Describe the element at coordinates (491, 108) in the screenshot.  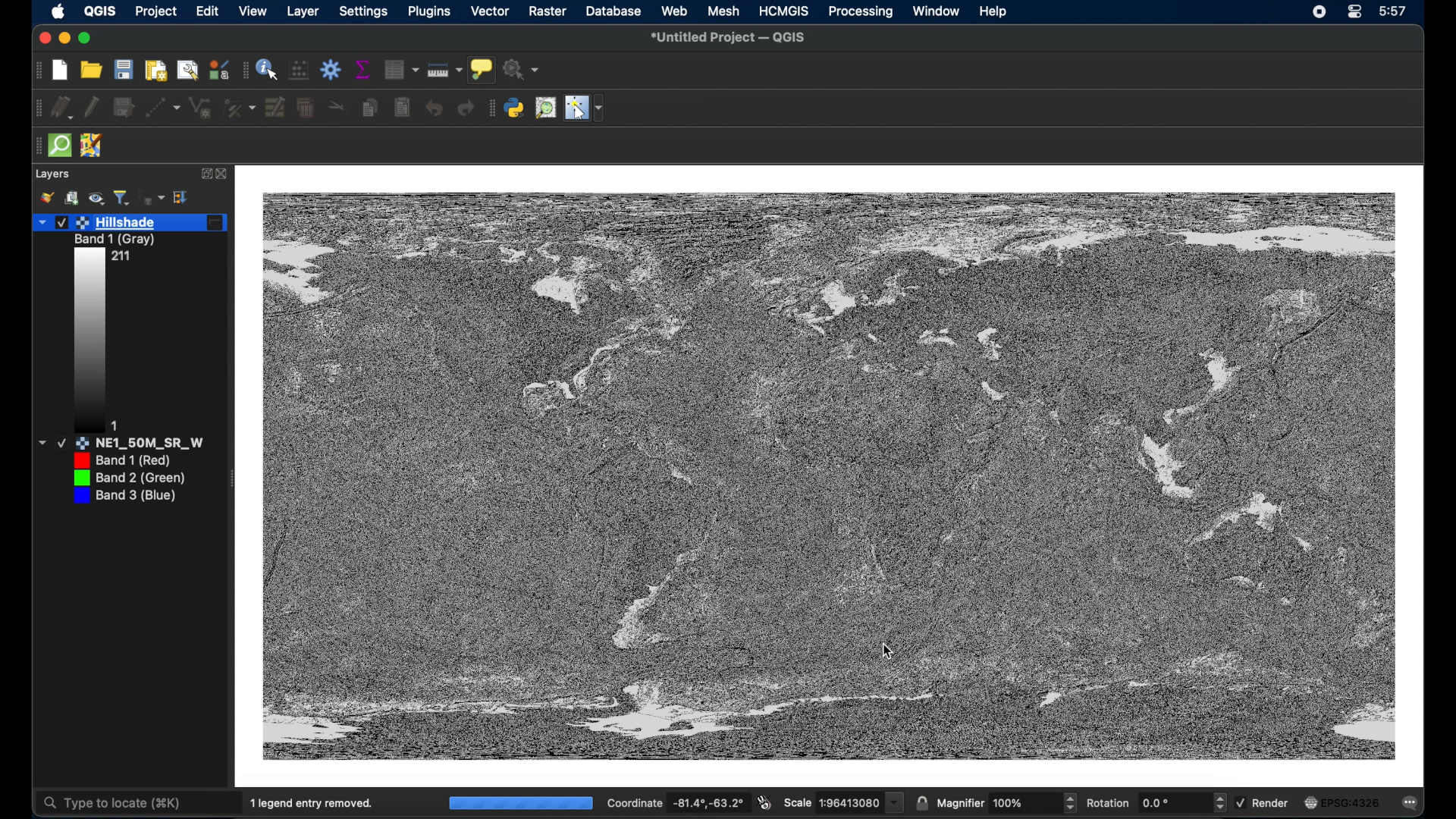
I see `drag handle` at that location.